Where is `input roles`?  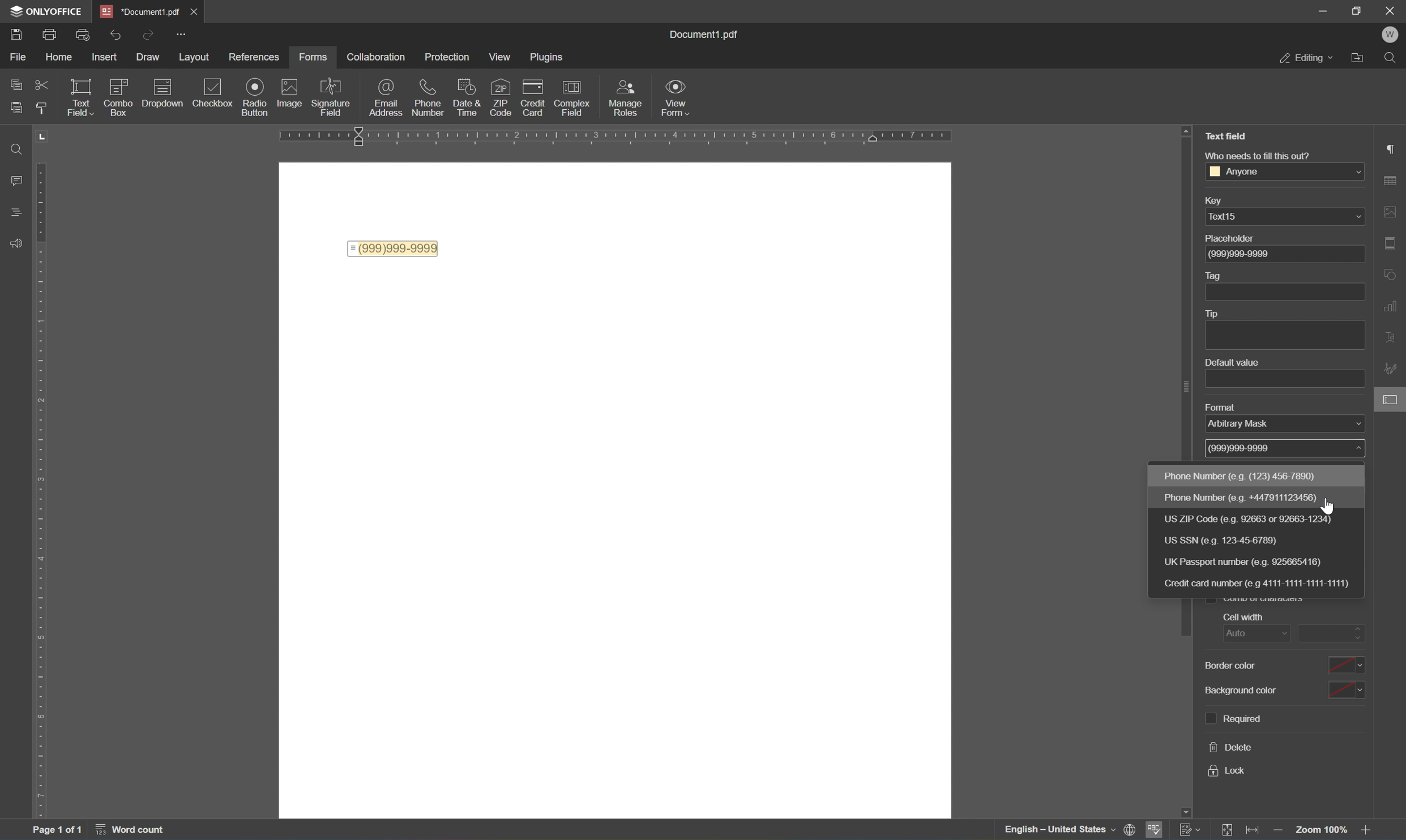
input roles is located at coordinates (628, 98).